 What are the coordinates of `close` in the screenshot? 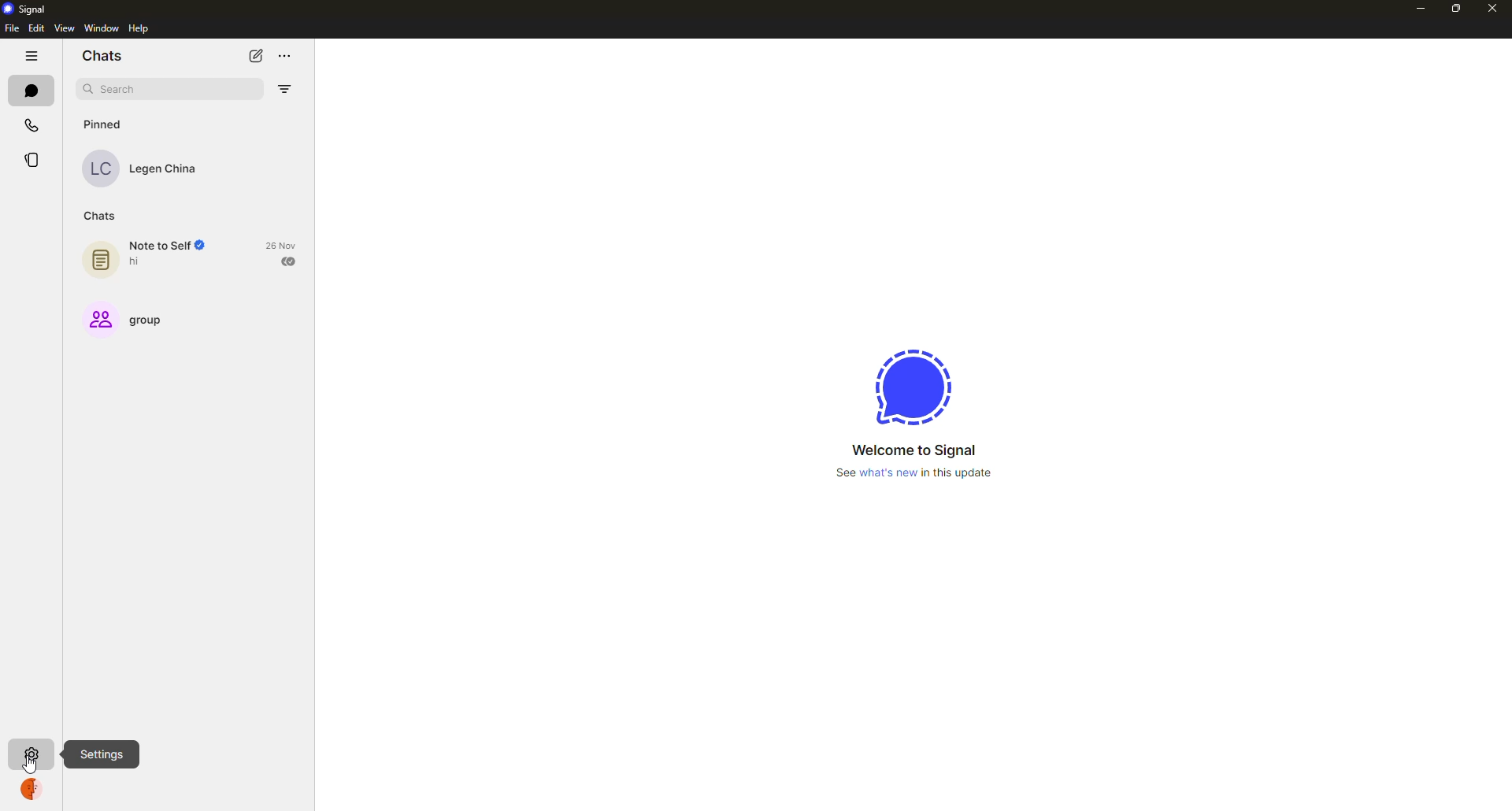 It's located at (1495, 8).